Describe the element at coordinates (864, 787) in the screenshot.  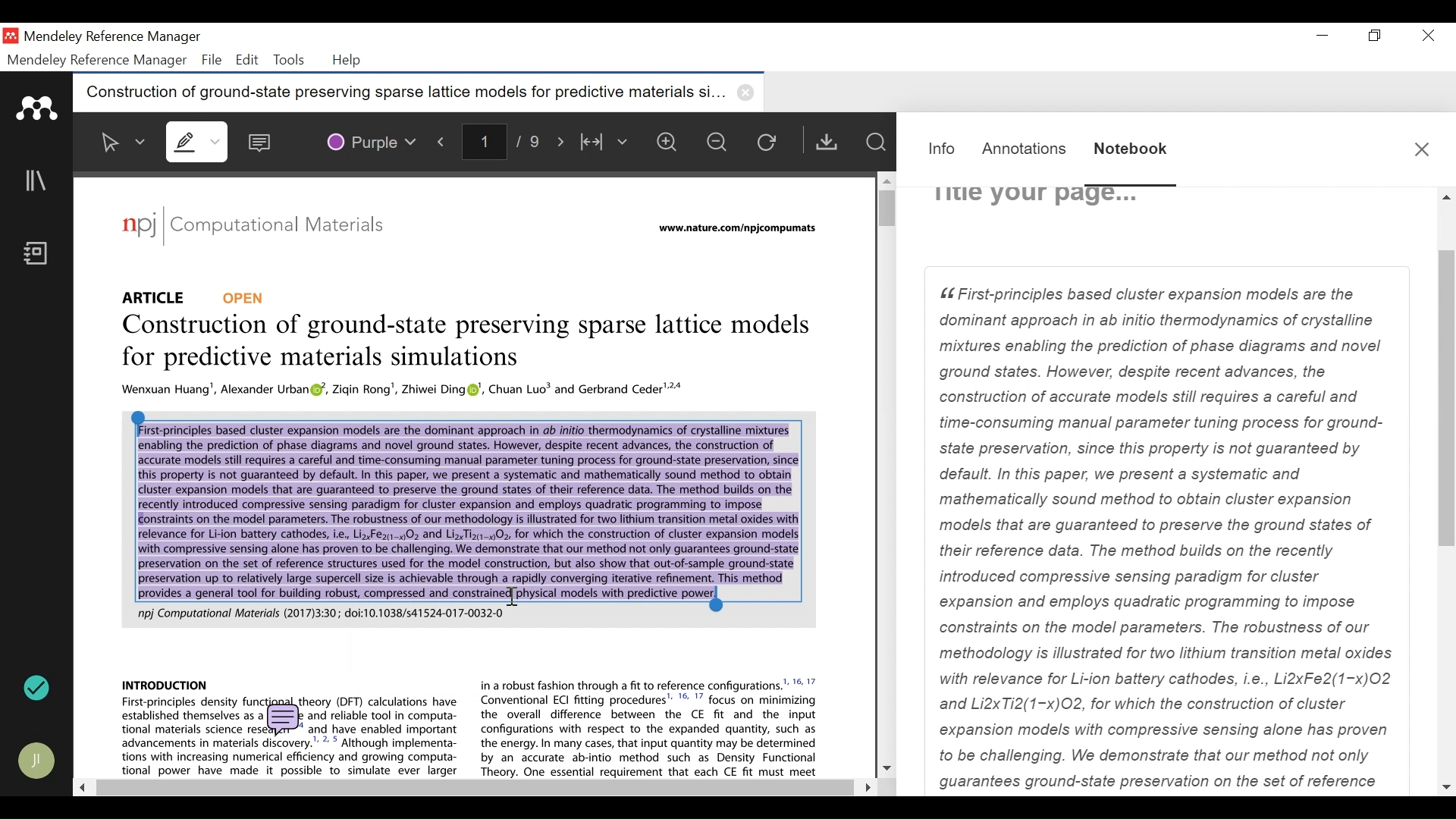
I see `Scroll Right` at that location.